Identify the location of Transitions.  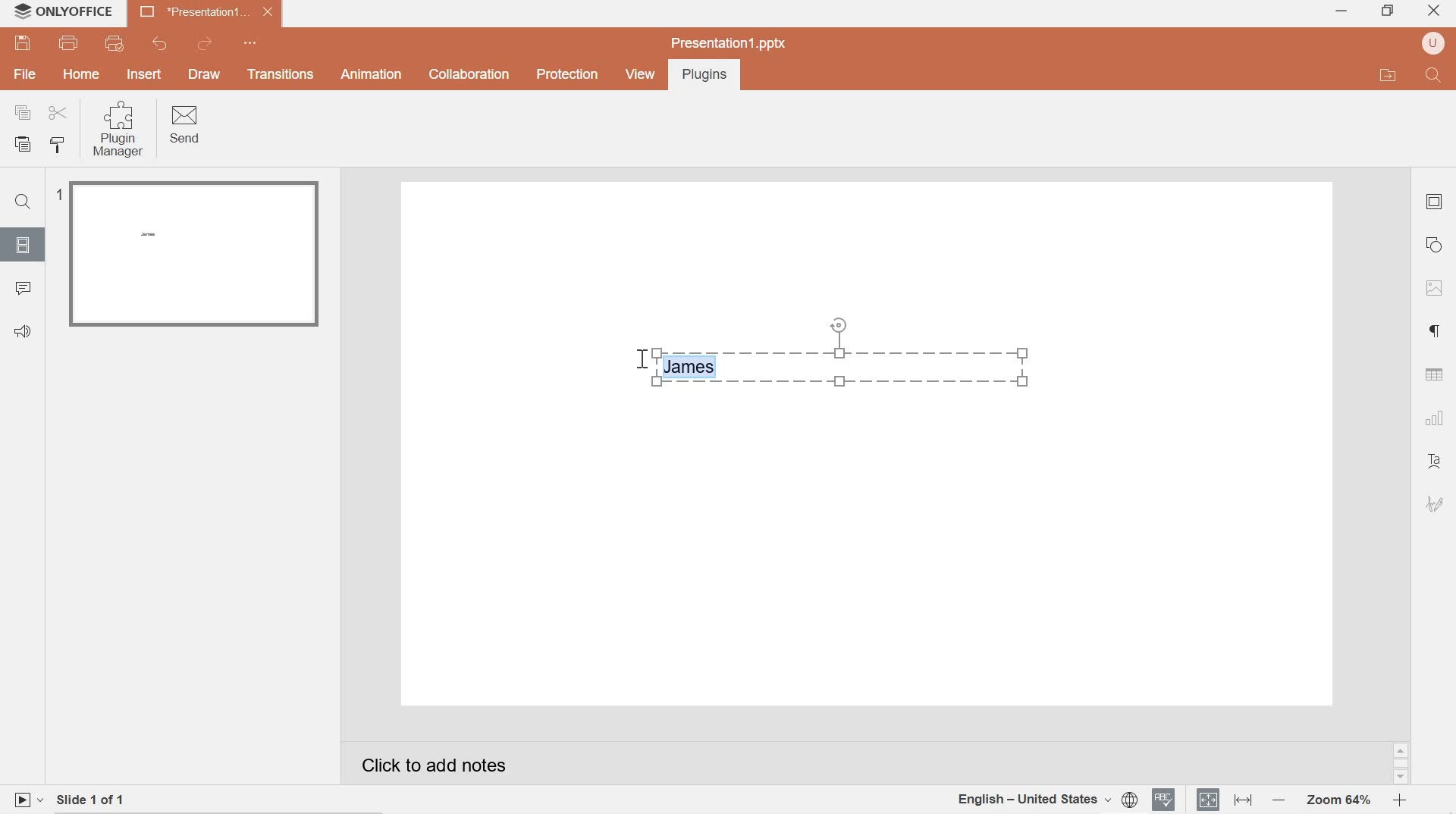
(281, 75).